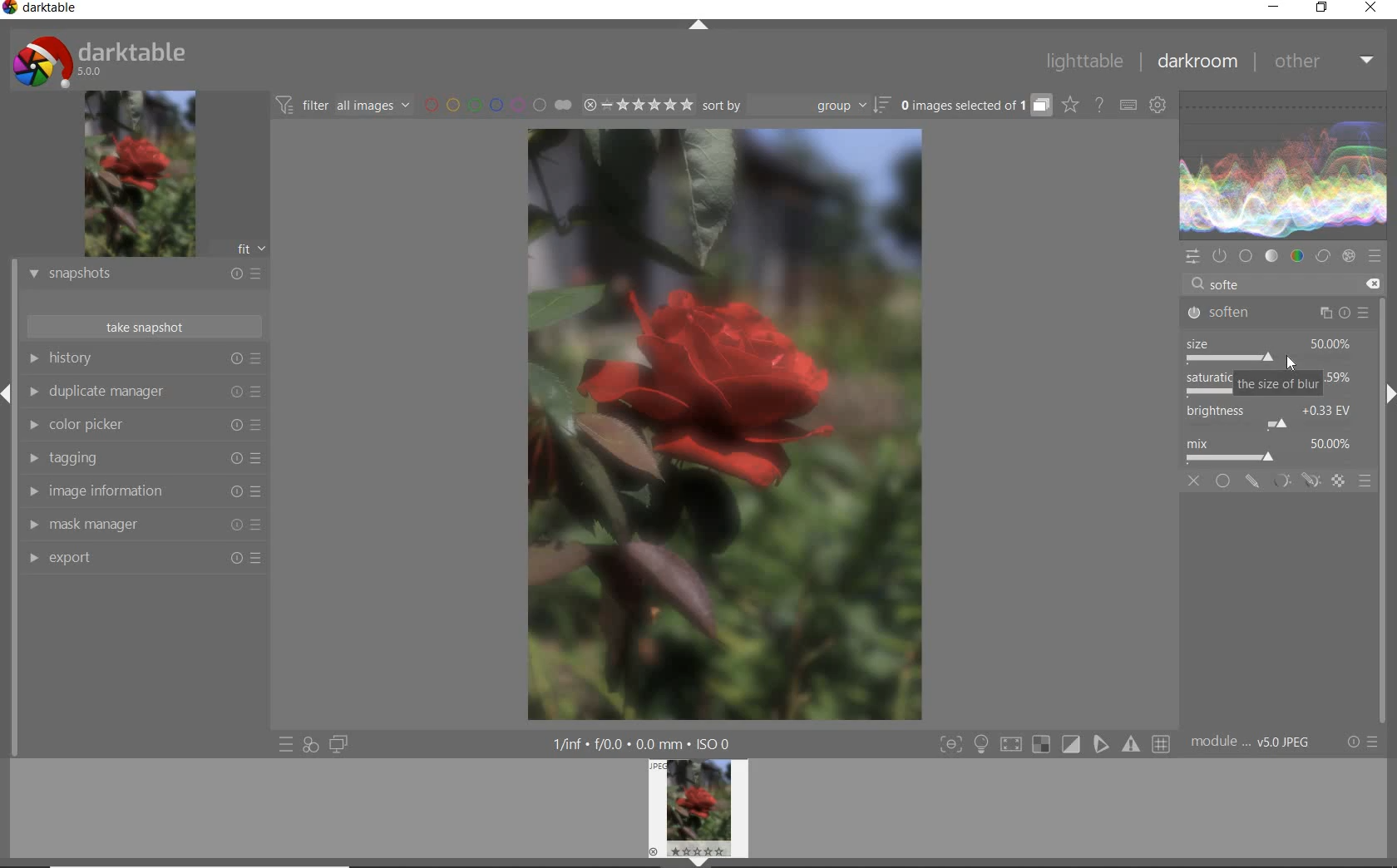 The height and width of the screenshot is (868, 1397). Describe the element at coordinates (1363, 742) in the screenshot. I see `reset or presets and preferences` at that location.